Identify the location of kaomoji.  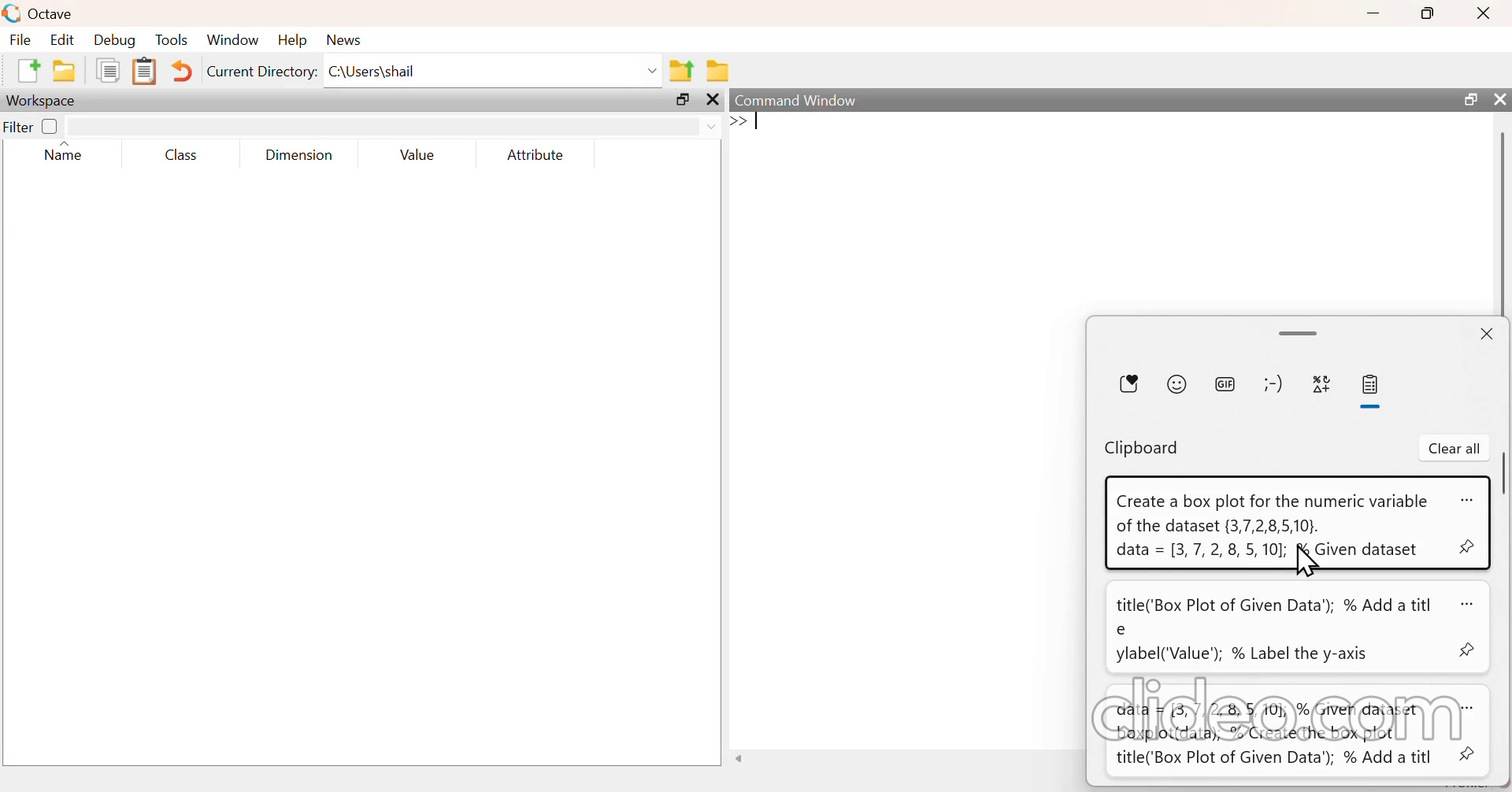
(1269, 383).